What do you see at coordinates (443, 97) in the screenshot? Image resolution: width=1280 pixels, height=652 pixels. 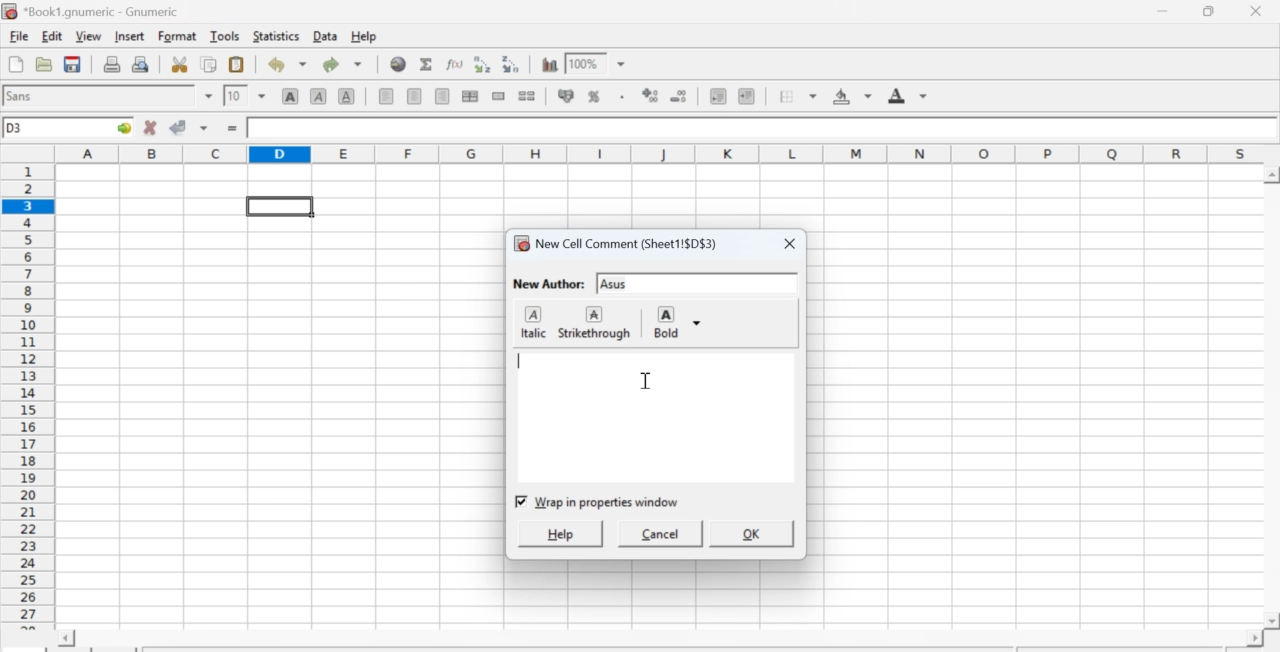 I see `Align Right` at bounding box center [443, 97].